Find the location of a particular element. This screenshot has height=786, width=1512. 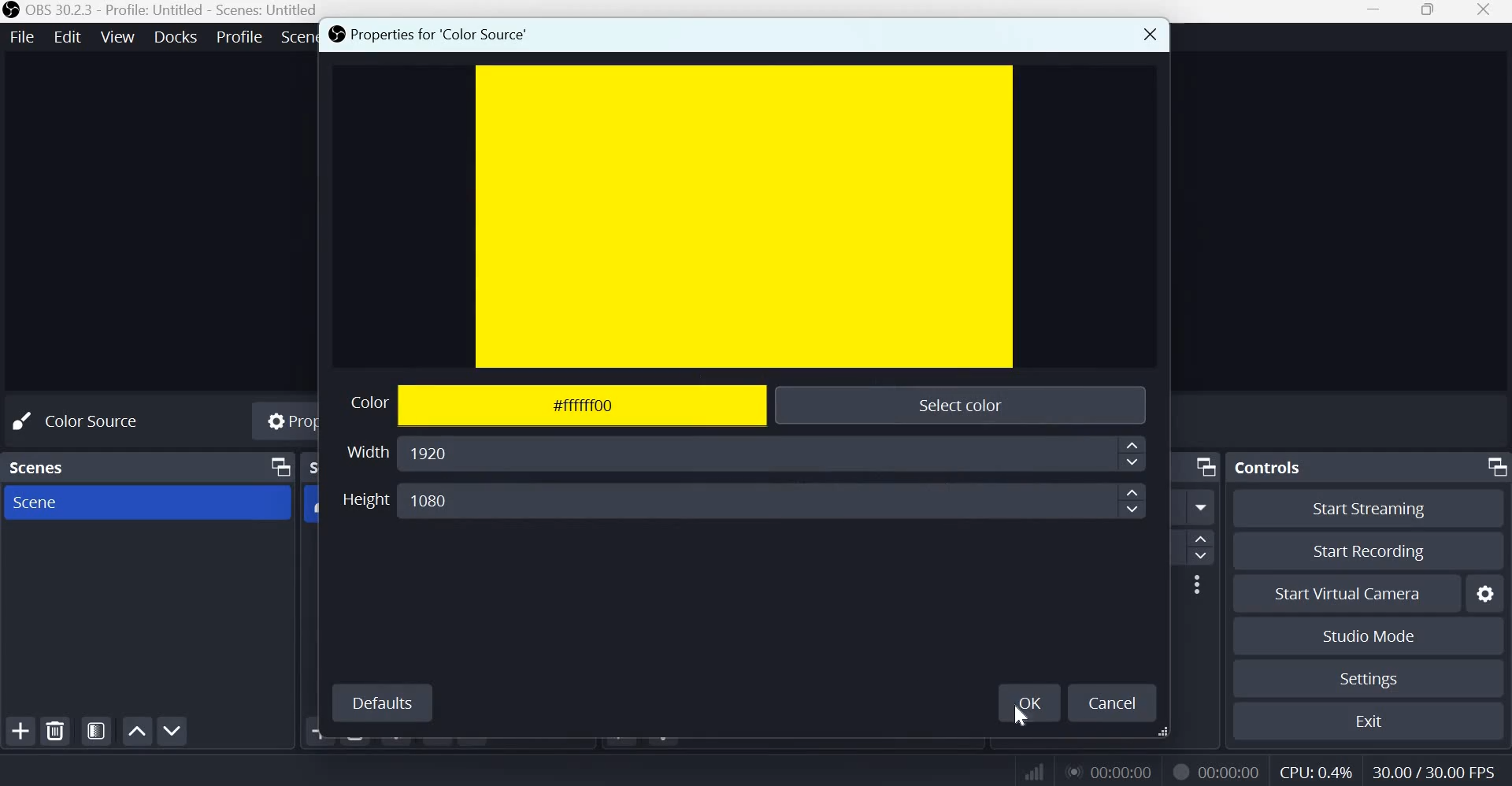

Close is located at coordinates (1485, 11).